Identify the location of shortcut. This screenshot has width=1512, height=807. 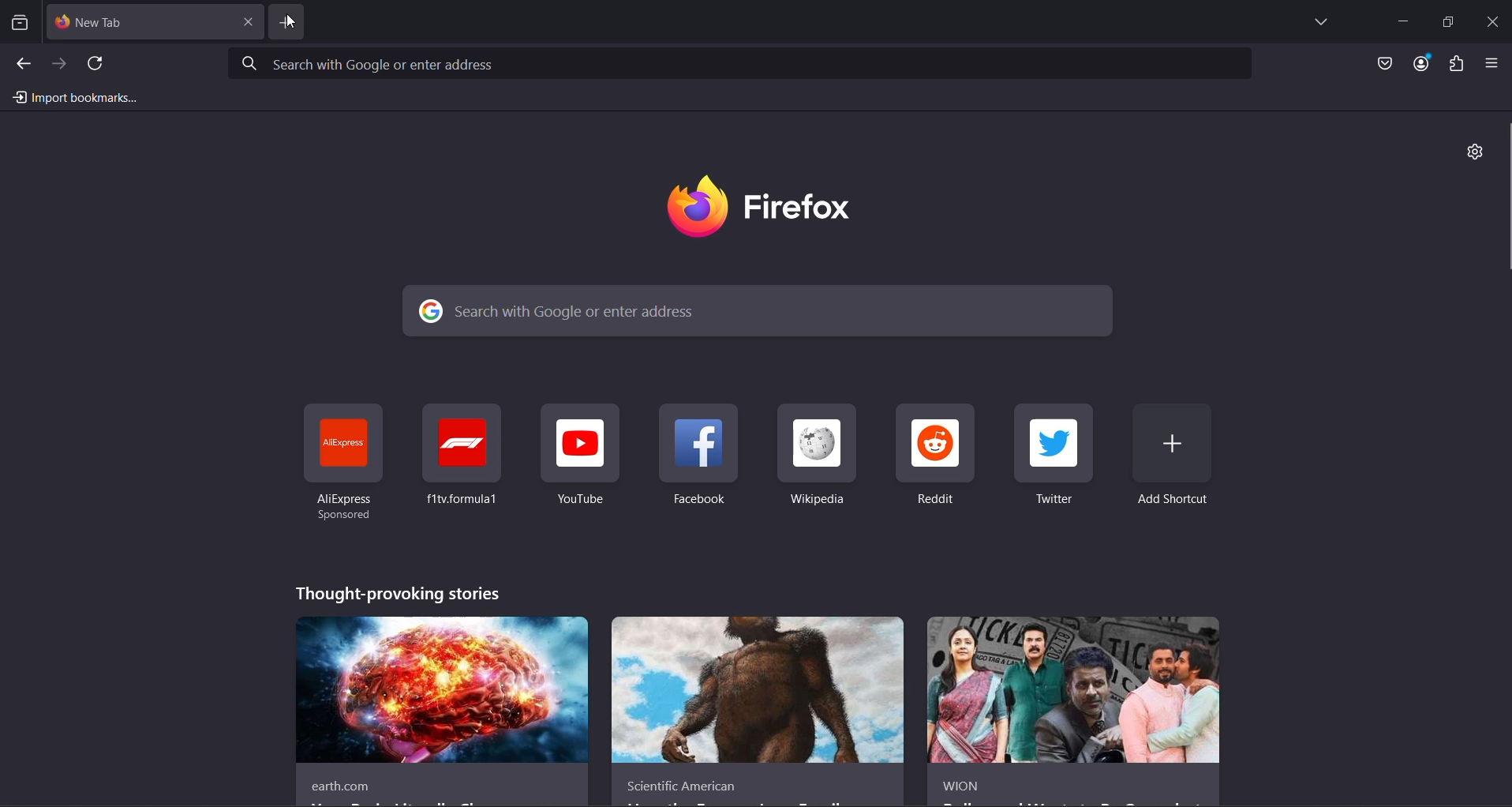
(935, 456).